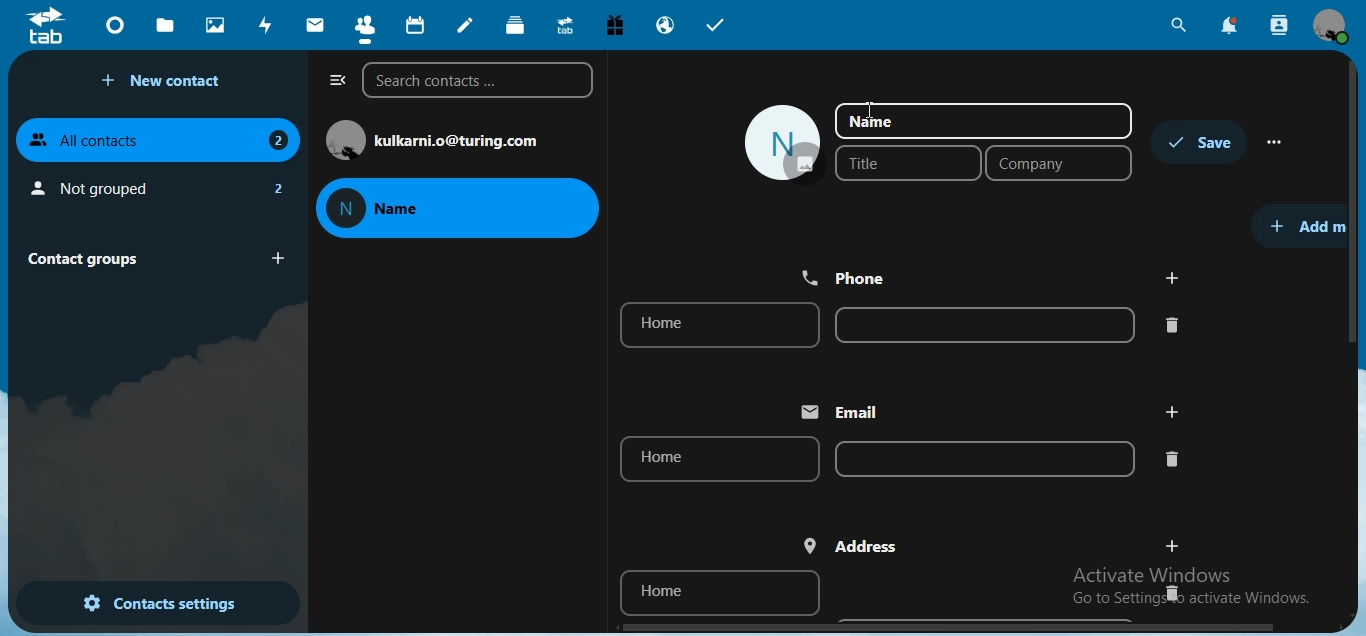 Image resolution: width=1366 pixels, height=636 pixels. What do you see at coordinates (334, 81) in the screenshot?
I see `close navigation` at bounding box center [334, 81].